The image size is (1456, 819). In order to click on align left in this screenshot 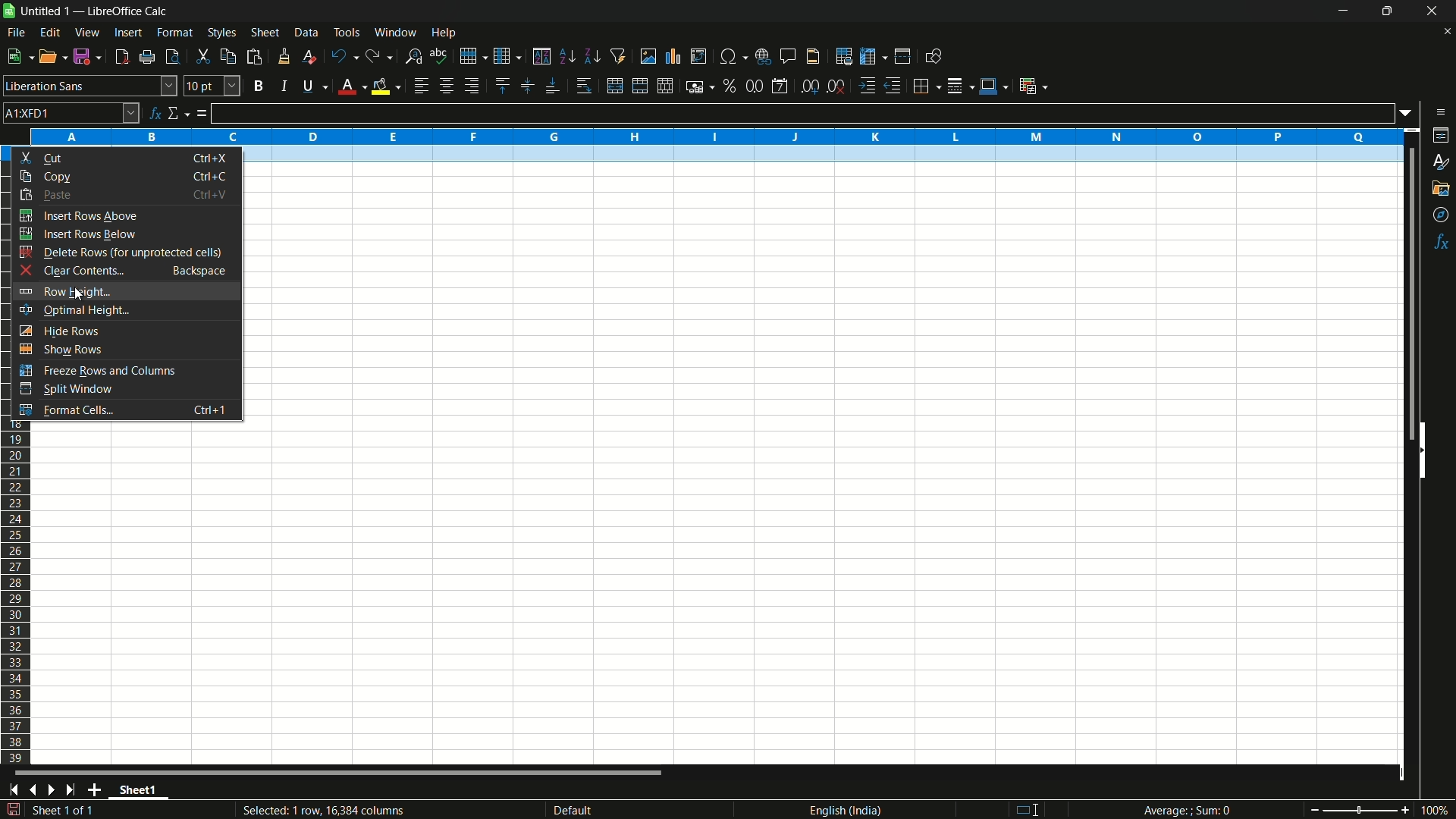, I will do `click(420, 86)`.